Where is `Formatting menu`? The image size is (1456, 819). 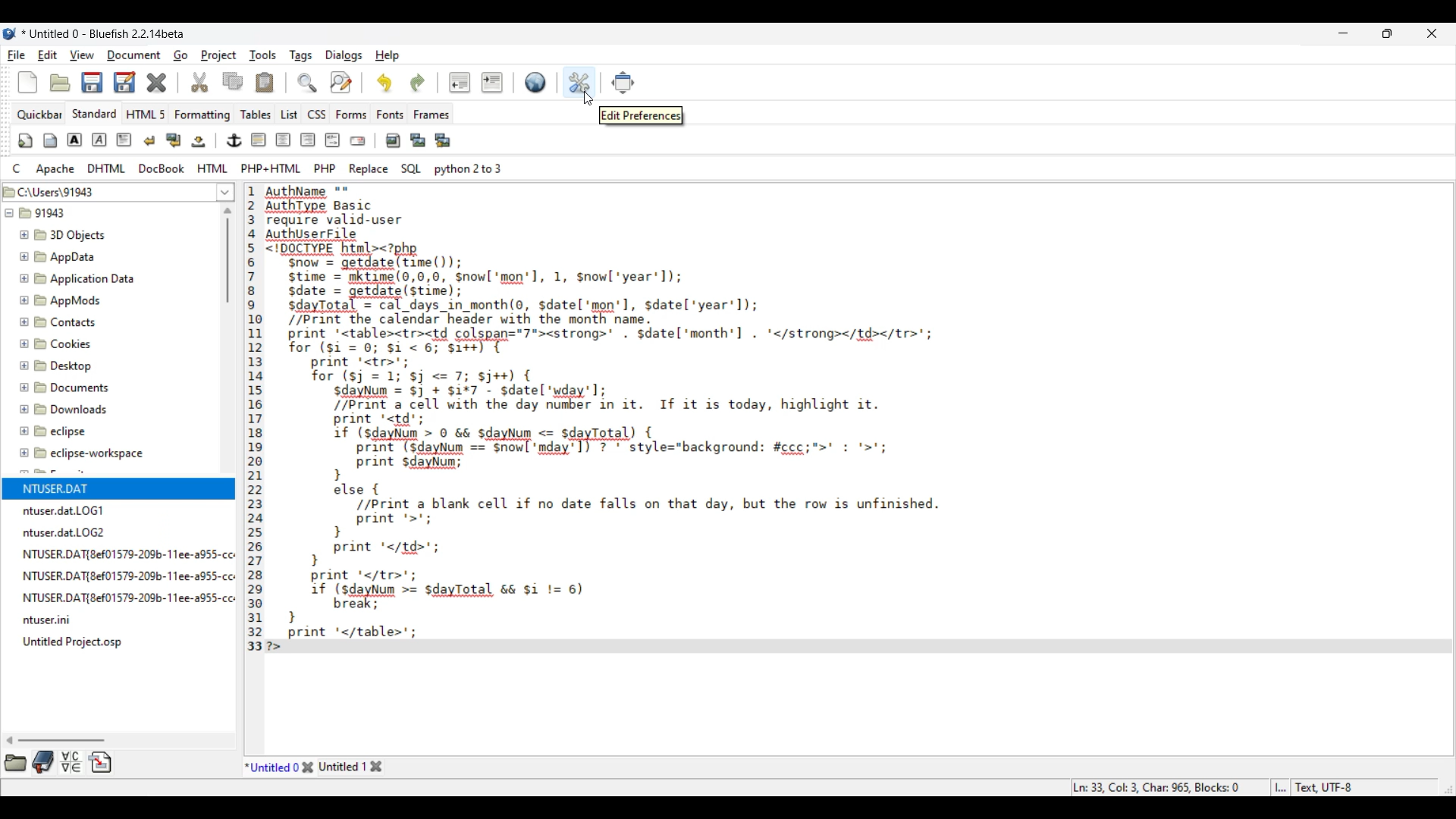 Formatting menu is located at coordinates (202, 115).